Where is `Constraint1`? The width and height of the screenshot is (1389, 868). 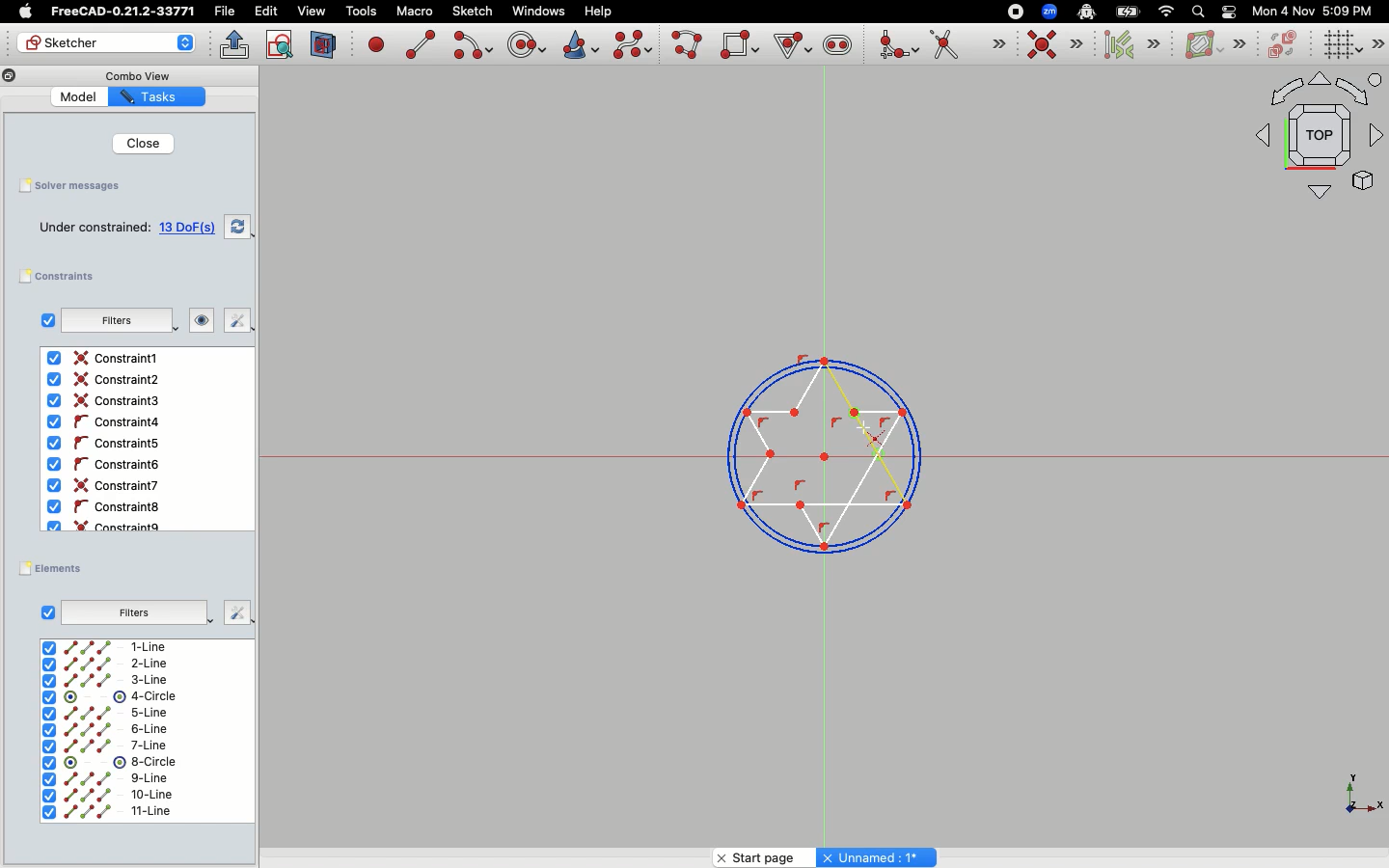
Constraint1 is located at coordinates (106, 359).